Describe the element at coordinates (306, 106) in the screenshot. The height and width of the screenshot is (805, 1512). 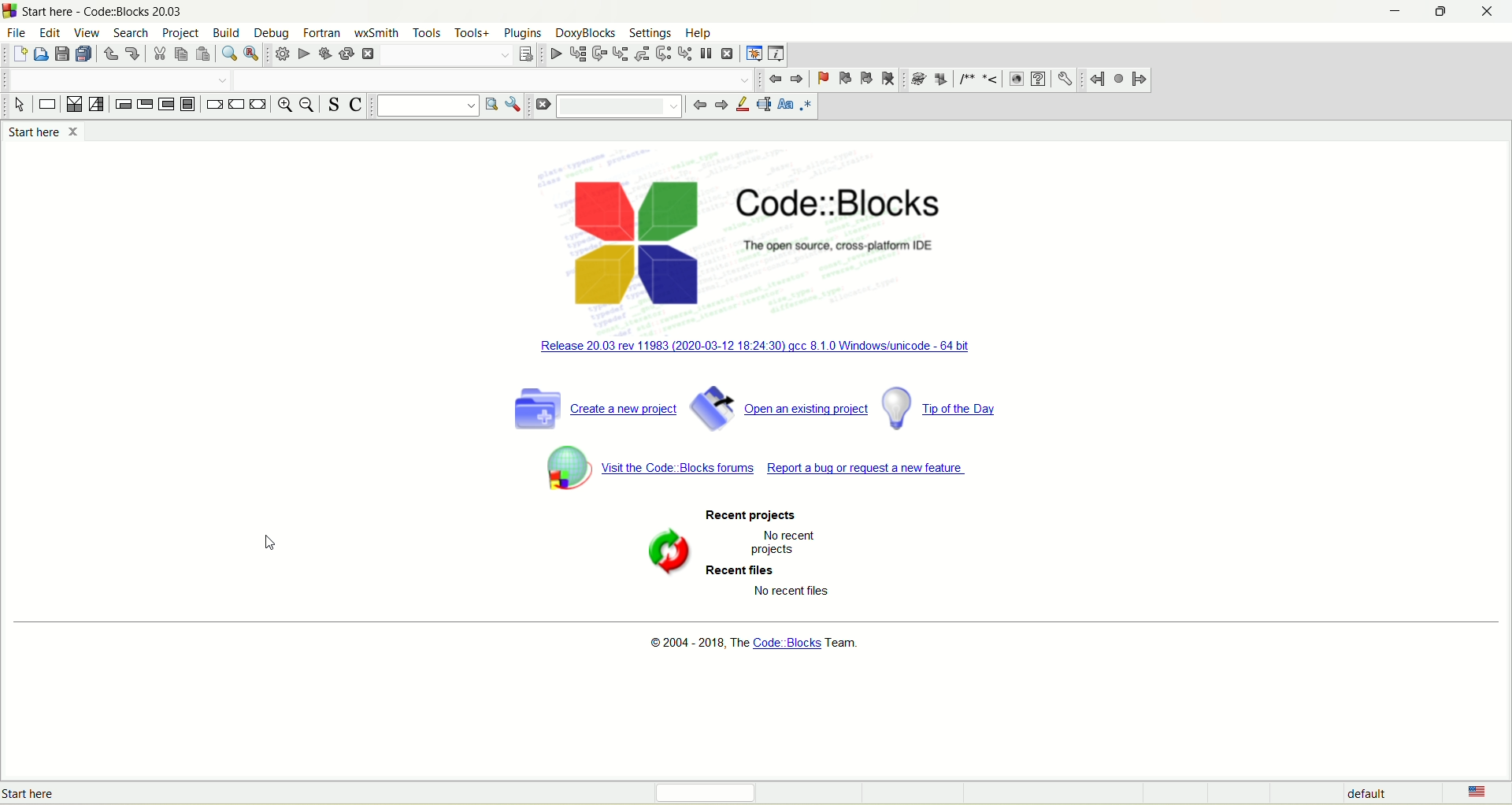
I see `zoom out` at that location.